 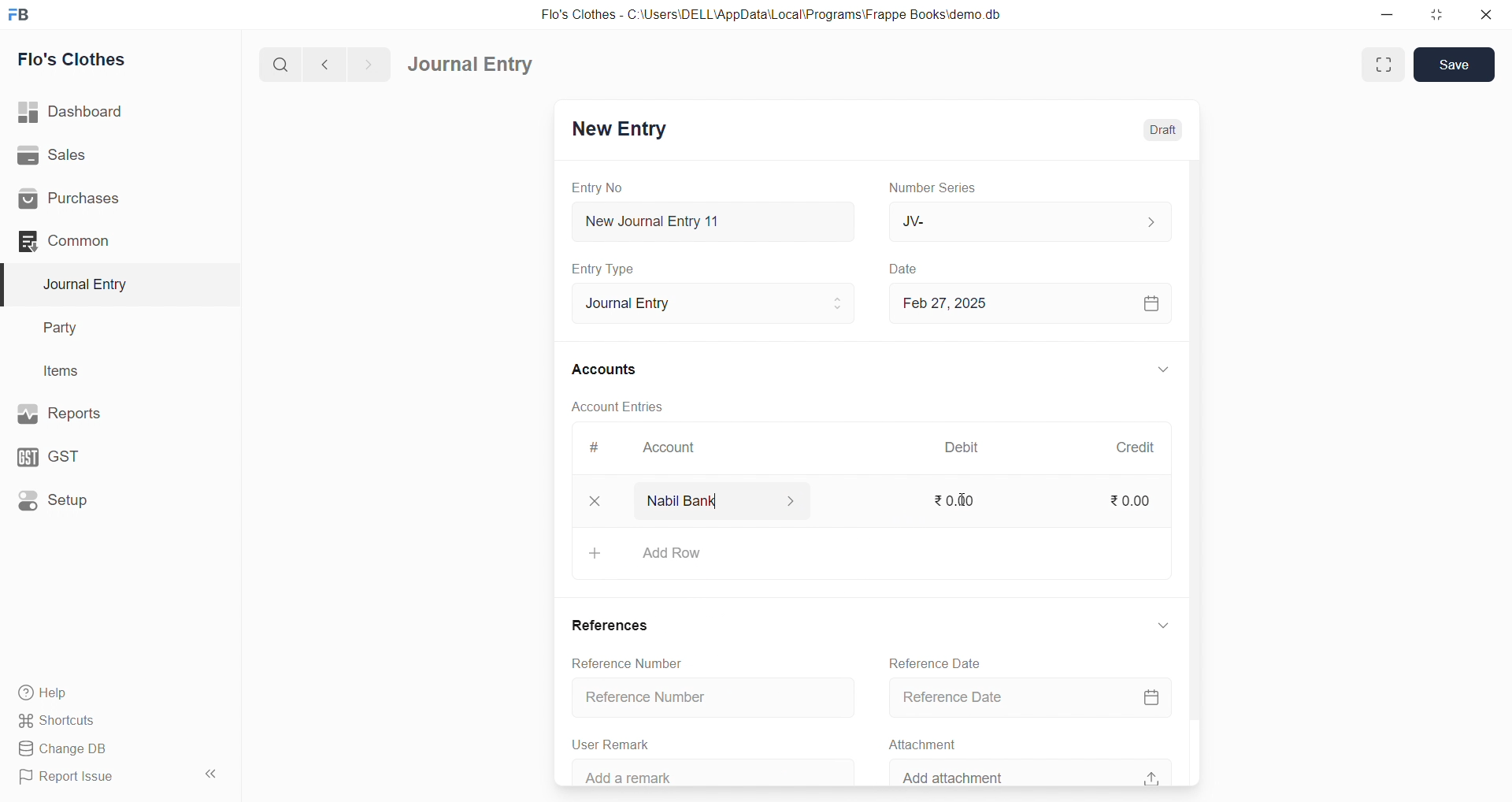 I want to click on JV-, so click(x=1028, y=219).